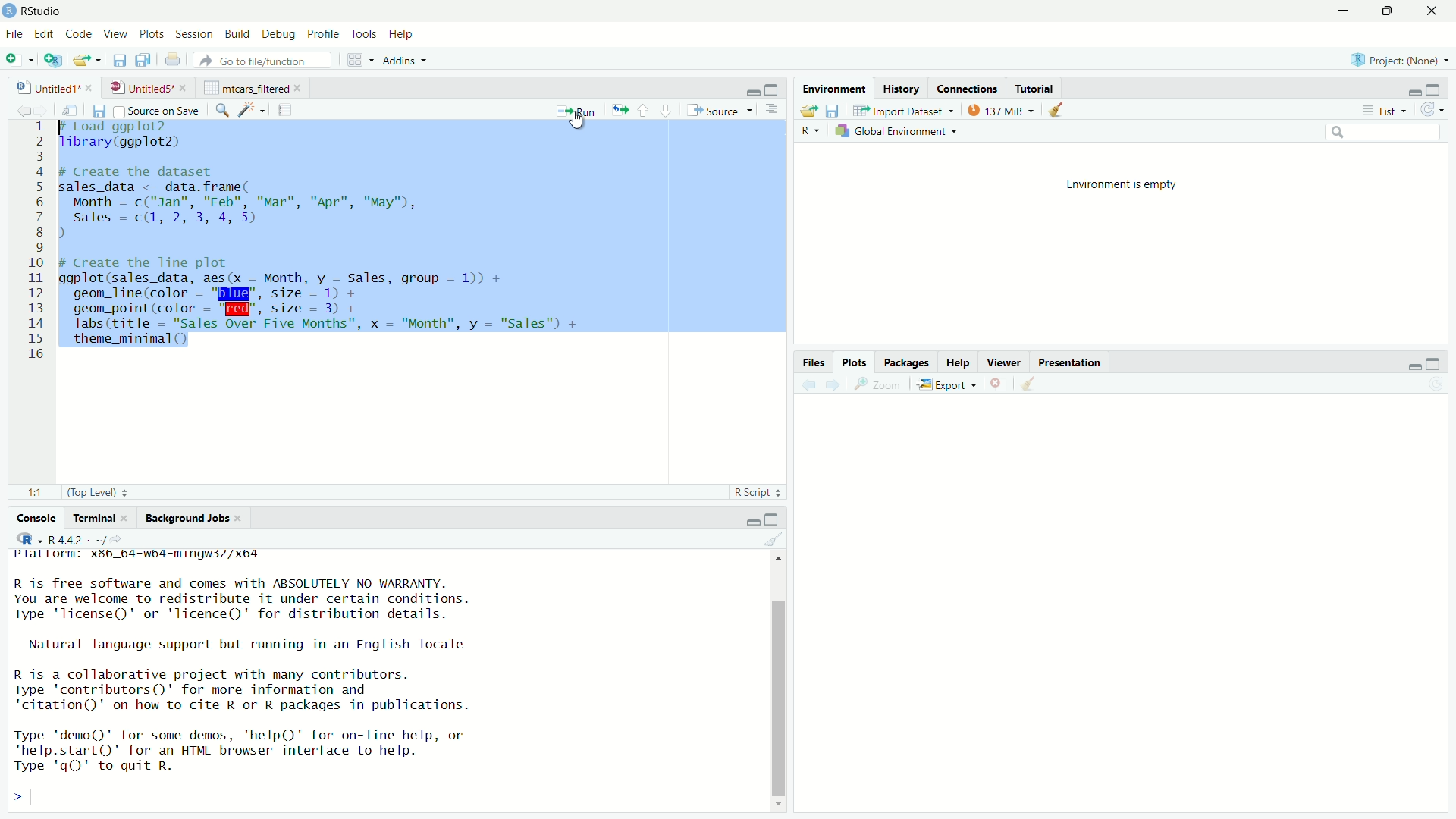 This screenshot has width=1456, height=819. What do you see at coordinates (30, 519) in the screenshot?
I see `console` at bounding box center [30, 519].